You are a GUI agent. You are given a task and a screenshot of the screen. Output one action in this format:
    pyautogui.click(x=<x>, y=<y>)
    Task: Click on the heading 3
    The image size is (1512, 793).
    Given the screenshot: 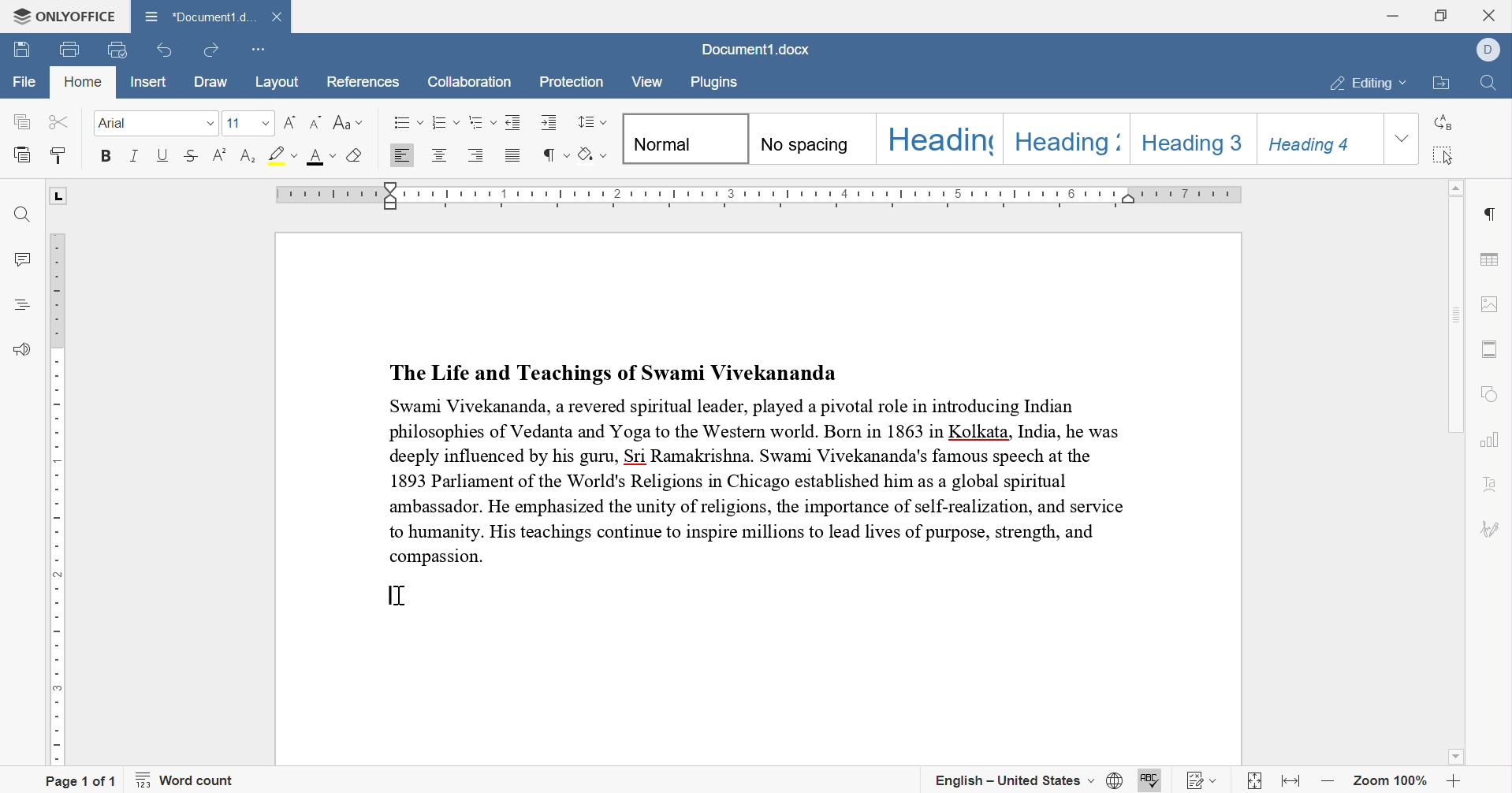 What is the action you would take?
    pyautogui.click(x=1195, y=136)
    